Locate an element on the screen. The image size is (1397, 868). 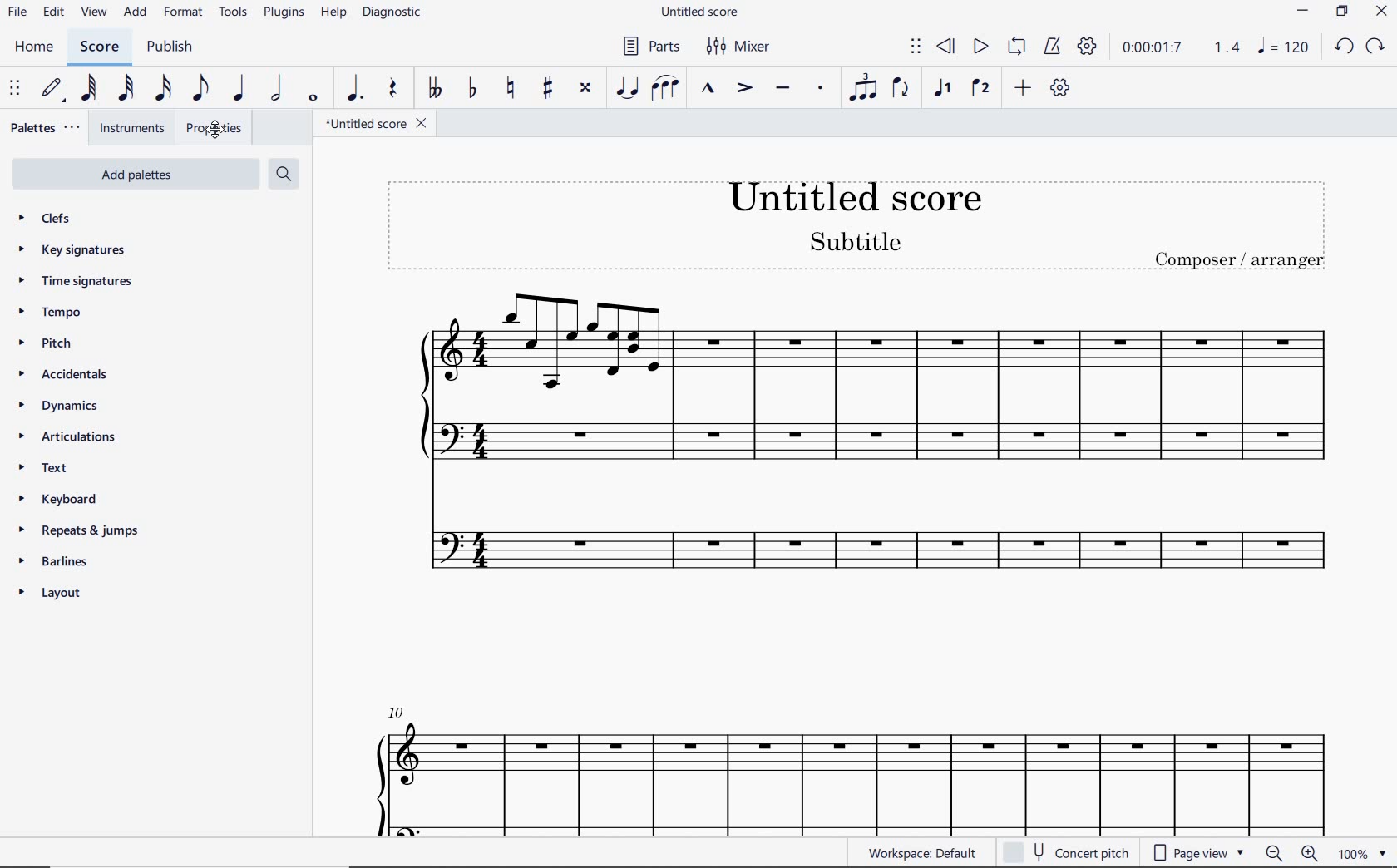
ACCENT is located at coordinates (744, 89).